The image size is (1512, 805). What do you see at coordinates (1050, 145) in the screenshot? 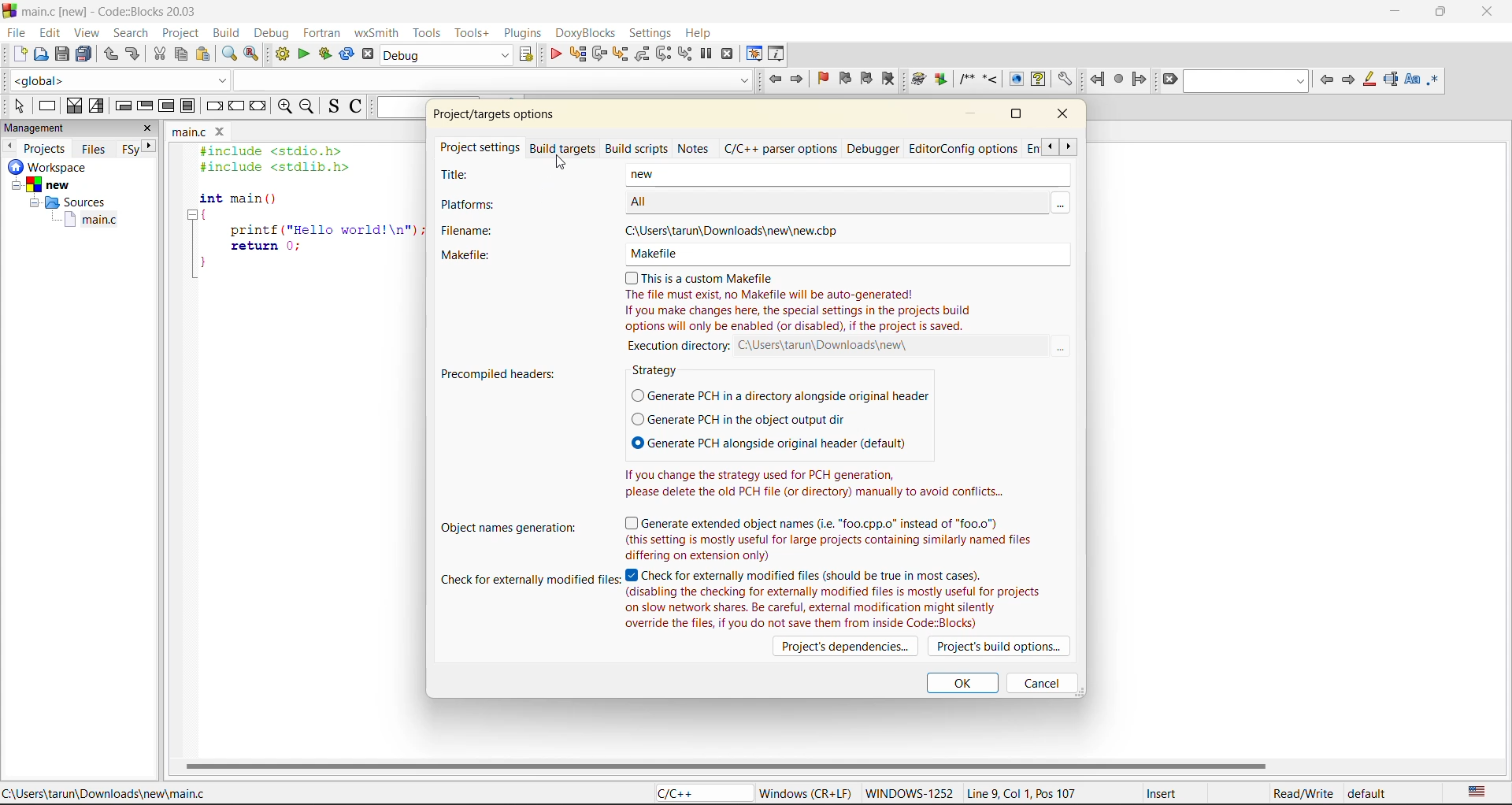
I see `scroll previous` at bounding box center [1050, 145].